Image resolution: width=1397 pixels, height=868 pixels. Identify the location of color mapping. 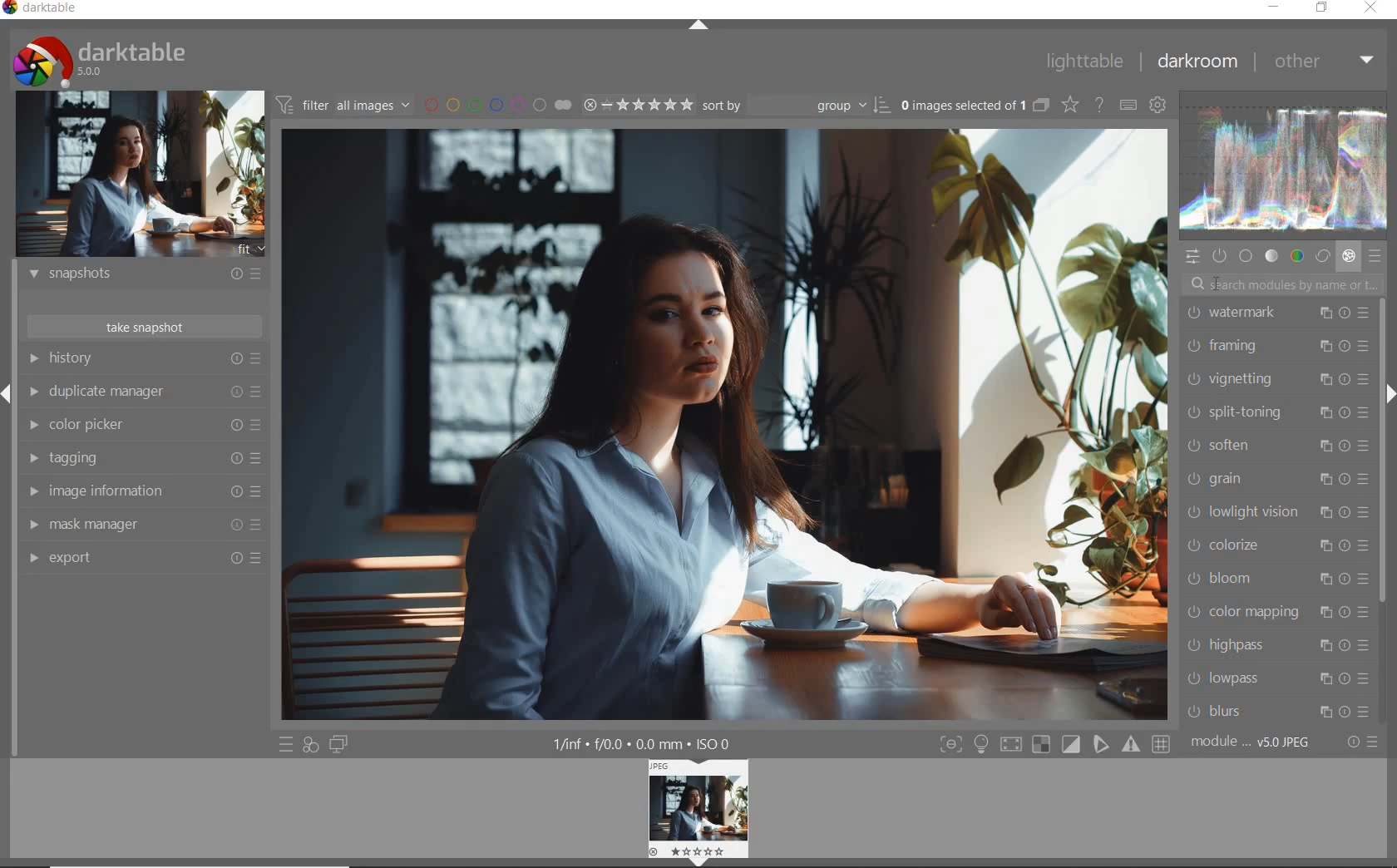
(1276, 614).